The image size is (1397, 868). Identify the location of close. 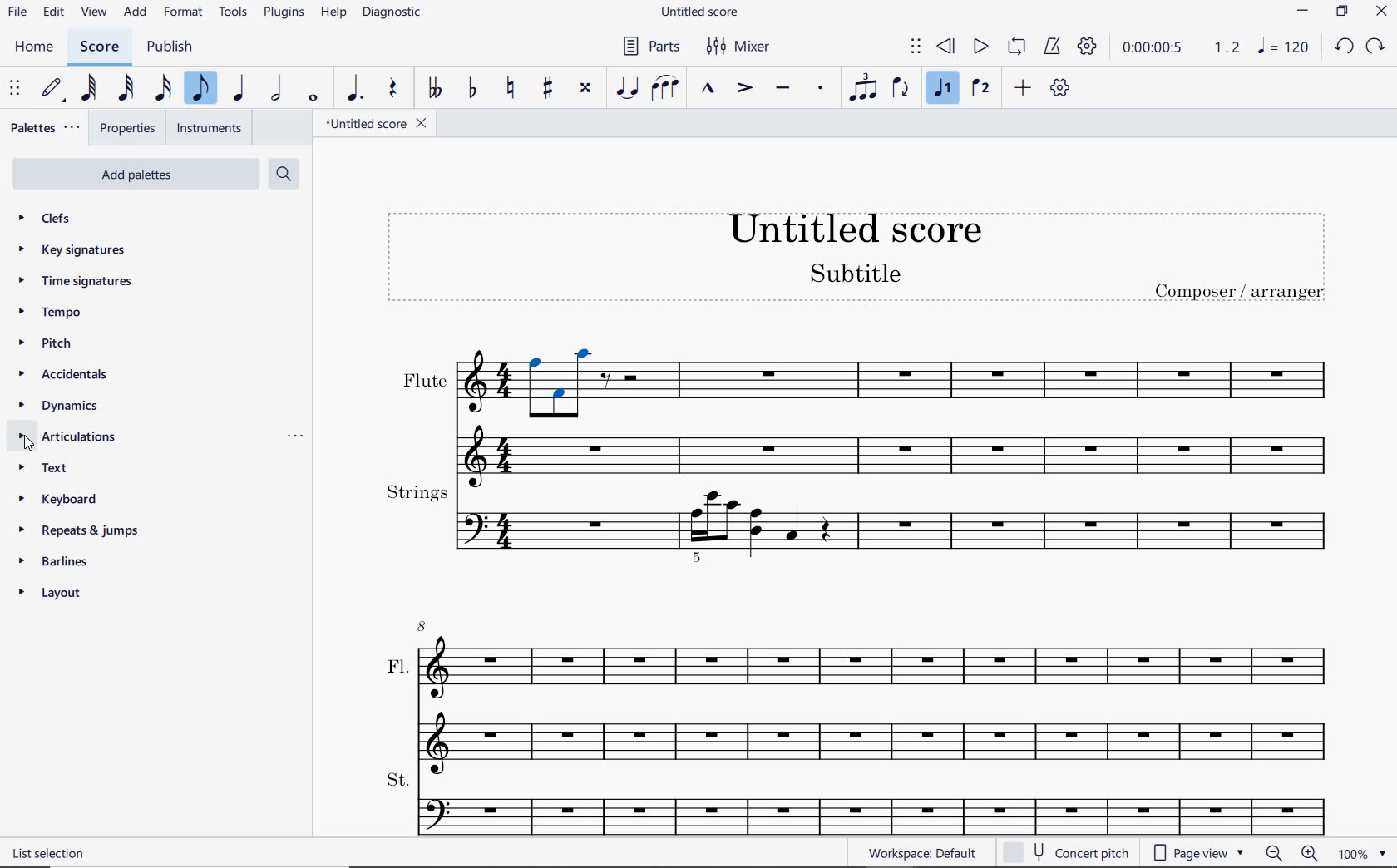
(1384, 13).